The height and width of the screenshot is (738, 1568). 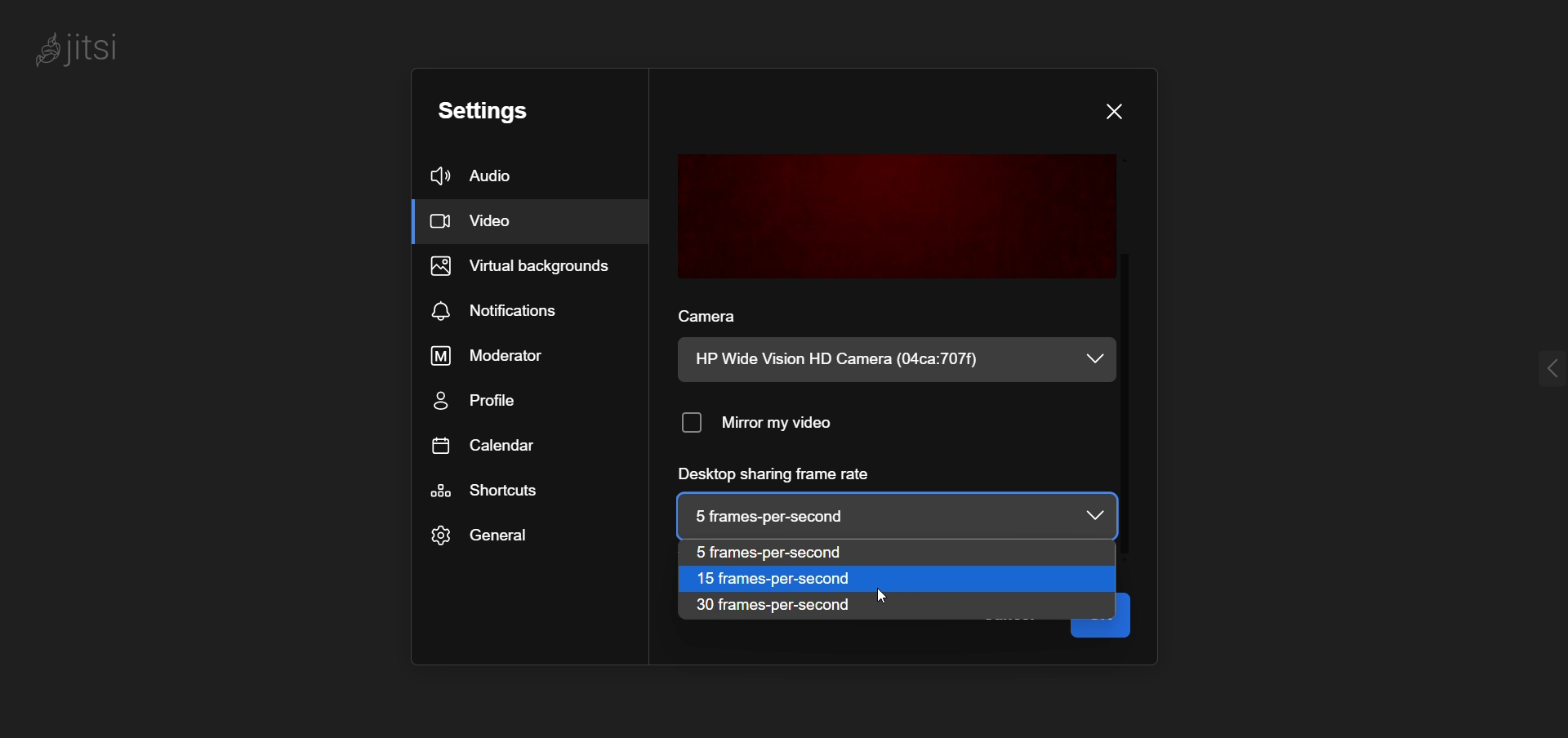 What do you see at coordinates (490, 224) in the screenshot?
I see `video` at bounding box center [490, 224].